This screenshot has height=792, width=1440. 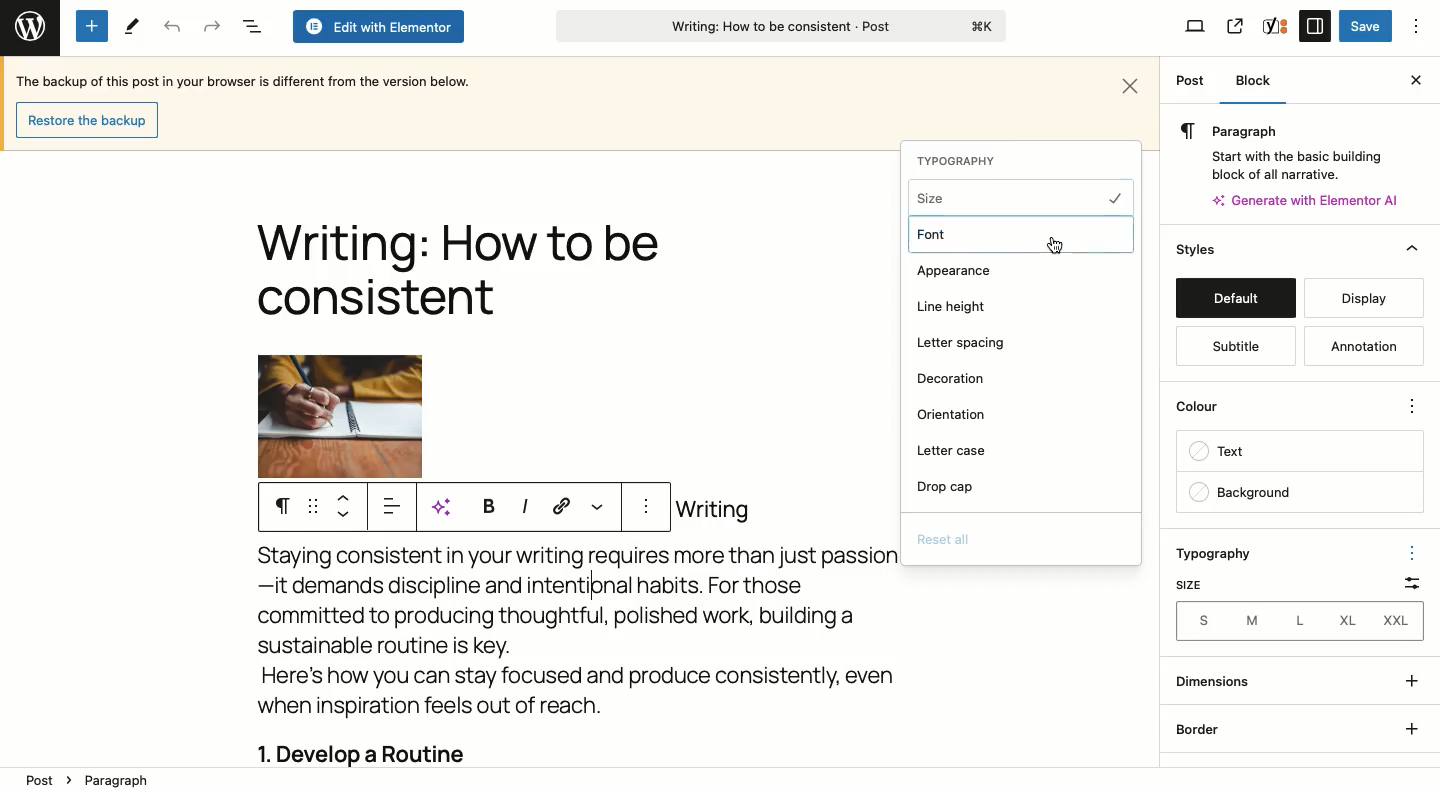 I want to click on Redo, so click(x=212, y=26).